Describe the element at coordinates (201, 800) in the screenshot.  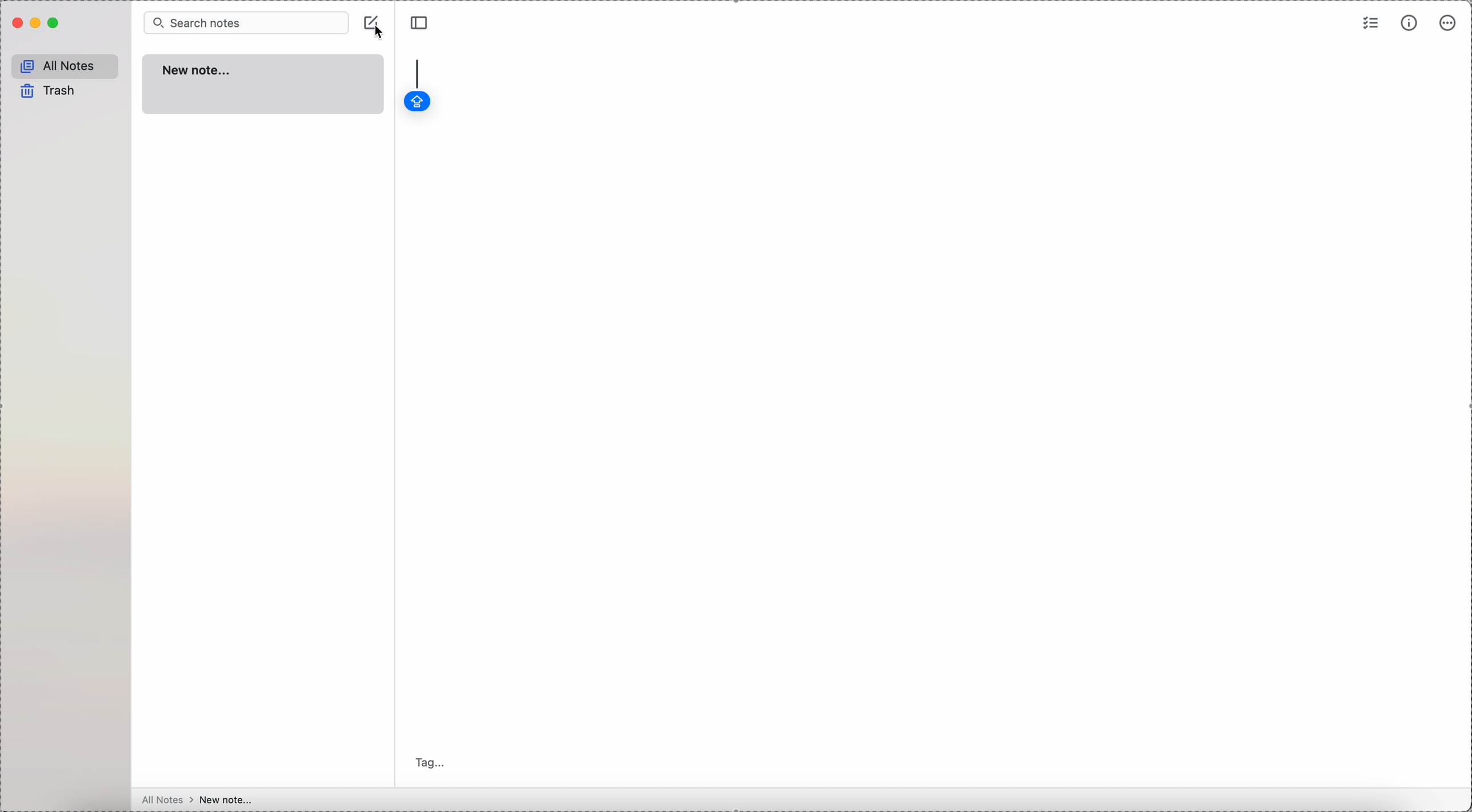
I see `all notes > new note...` at that location.